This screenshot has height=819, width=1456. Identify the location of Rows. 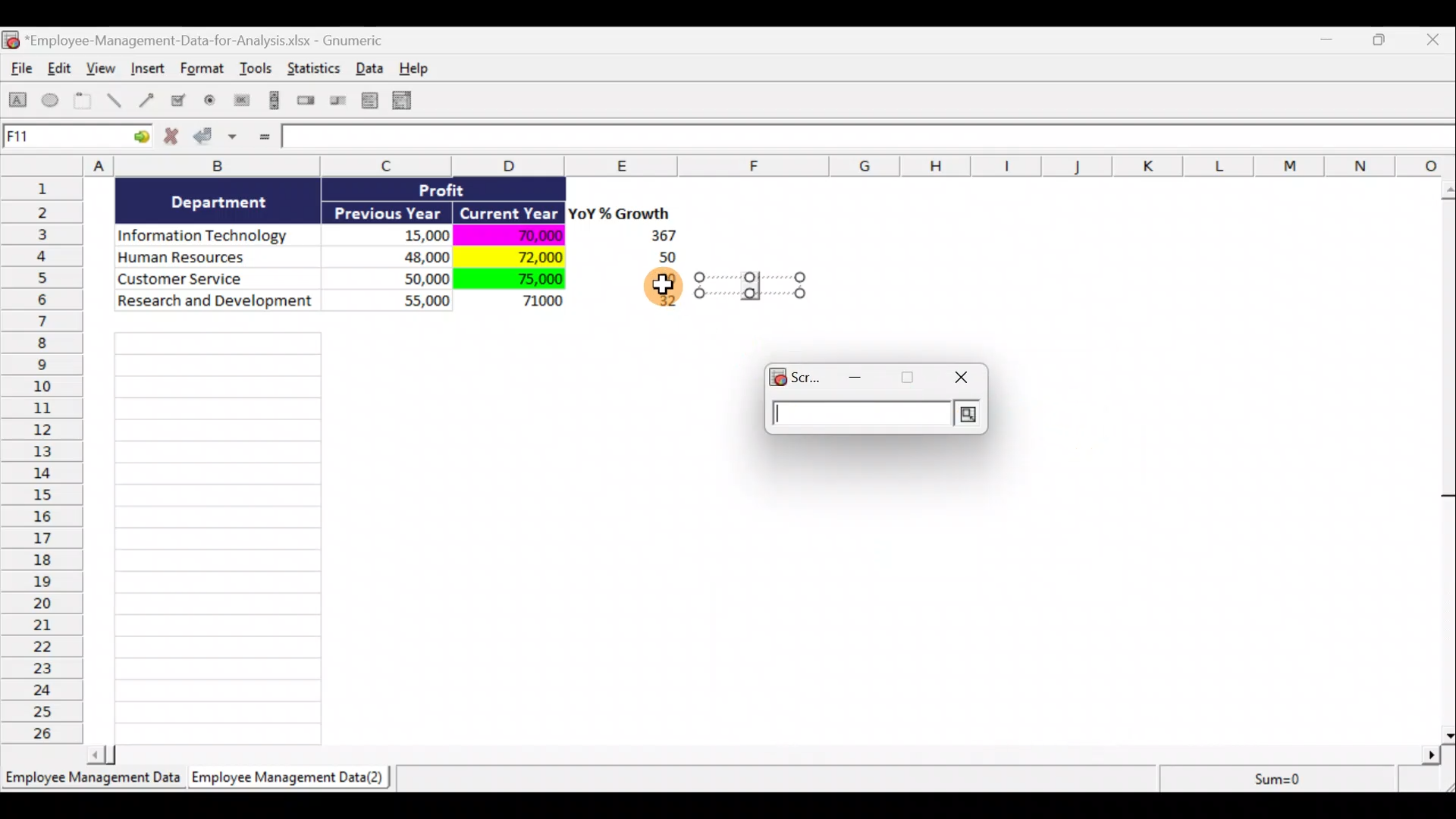
(46, 459).